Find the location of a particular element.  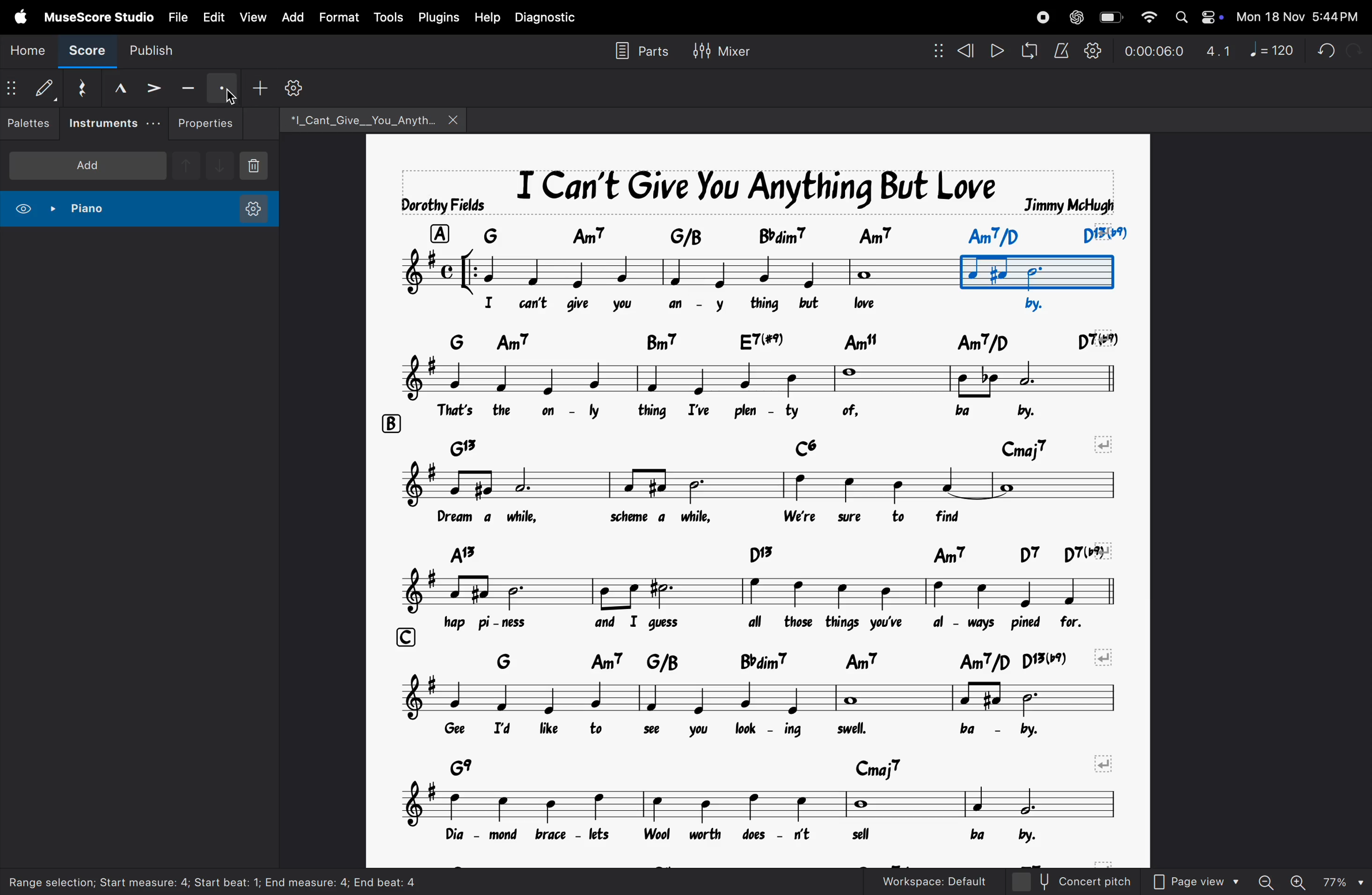

add is located at coordinates (88, 165).